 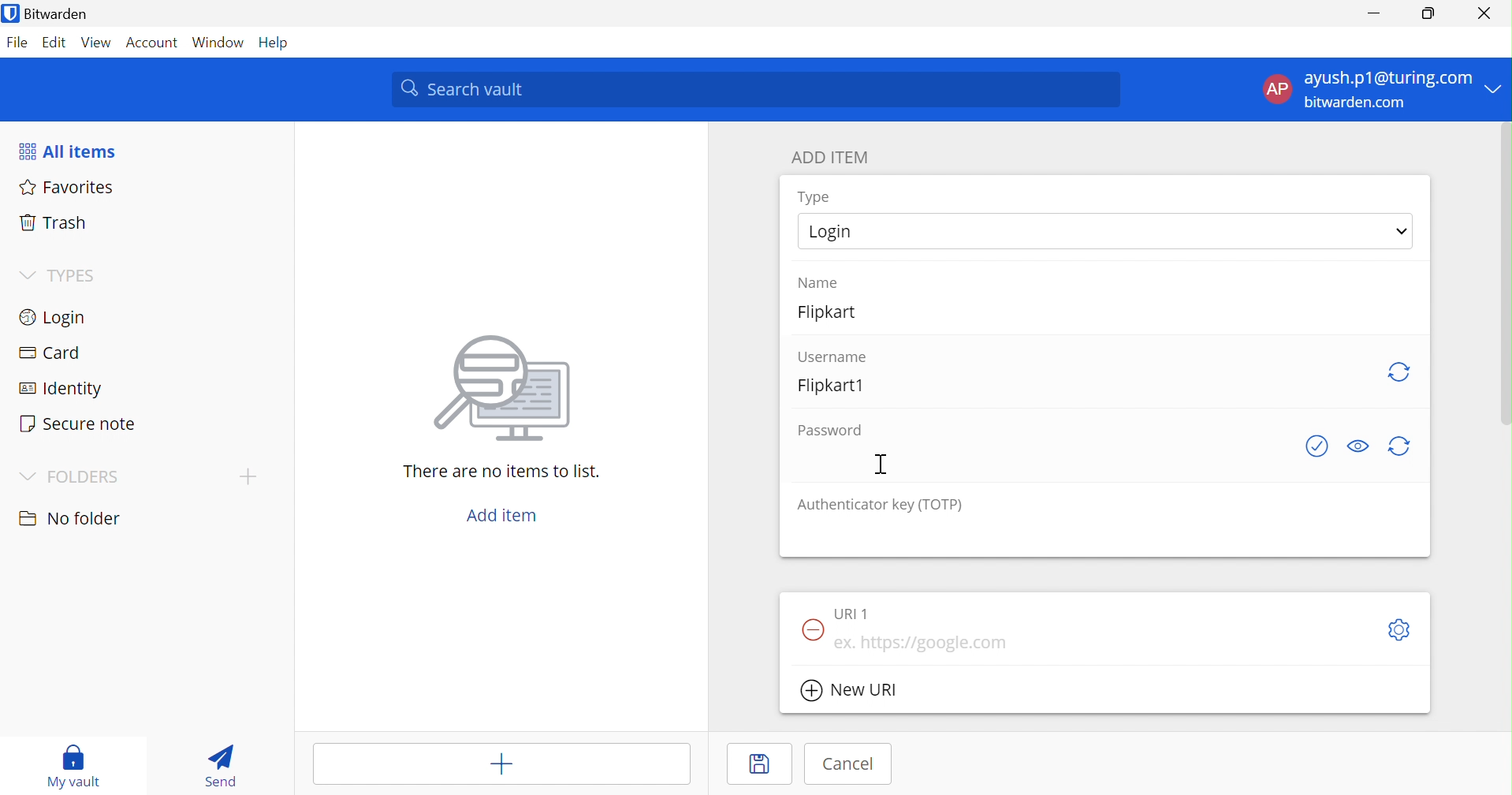 What do you see at coordinates (56, 319) in the screenshot?
I see `Login` at bounding box center [56, 319].